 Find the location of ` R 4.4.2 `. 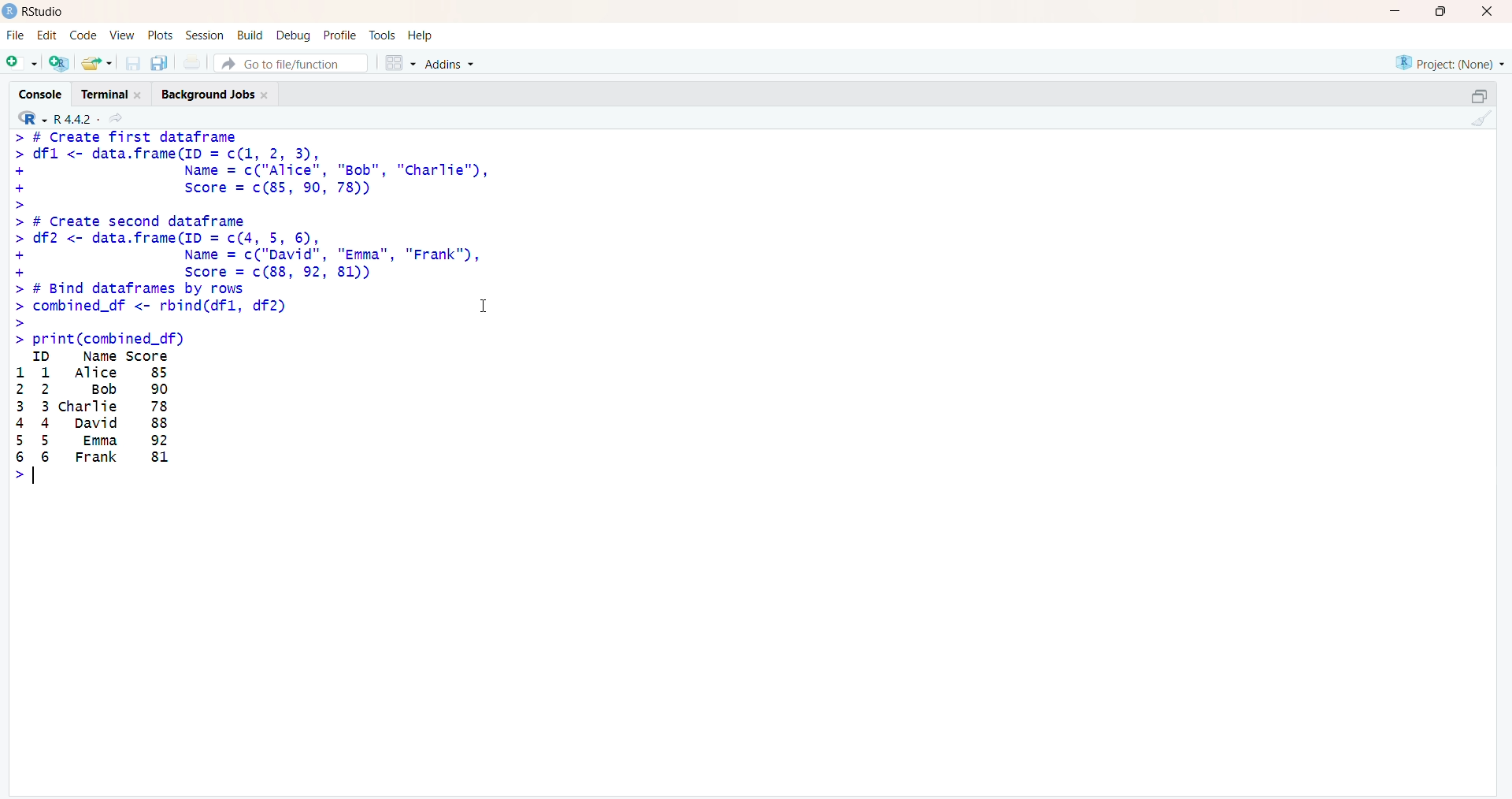

 R 4.4.2  is located at coordinates (57, 117).